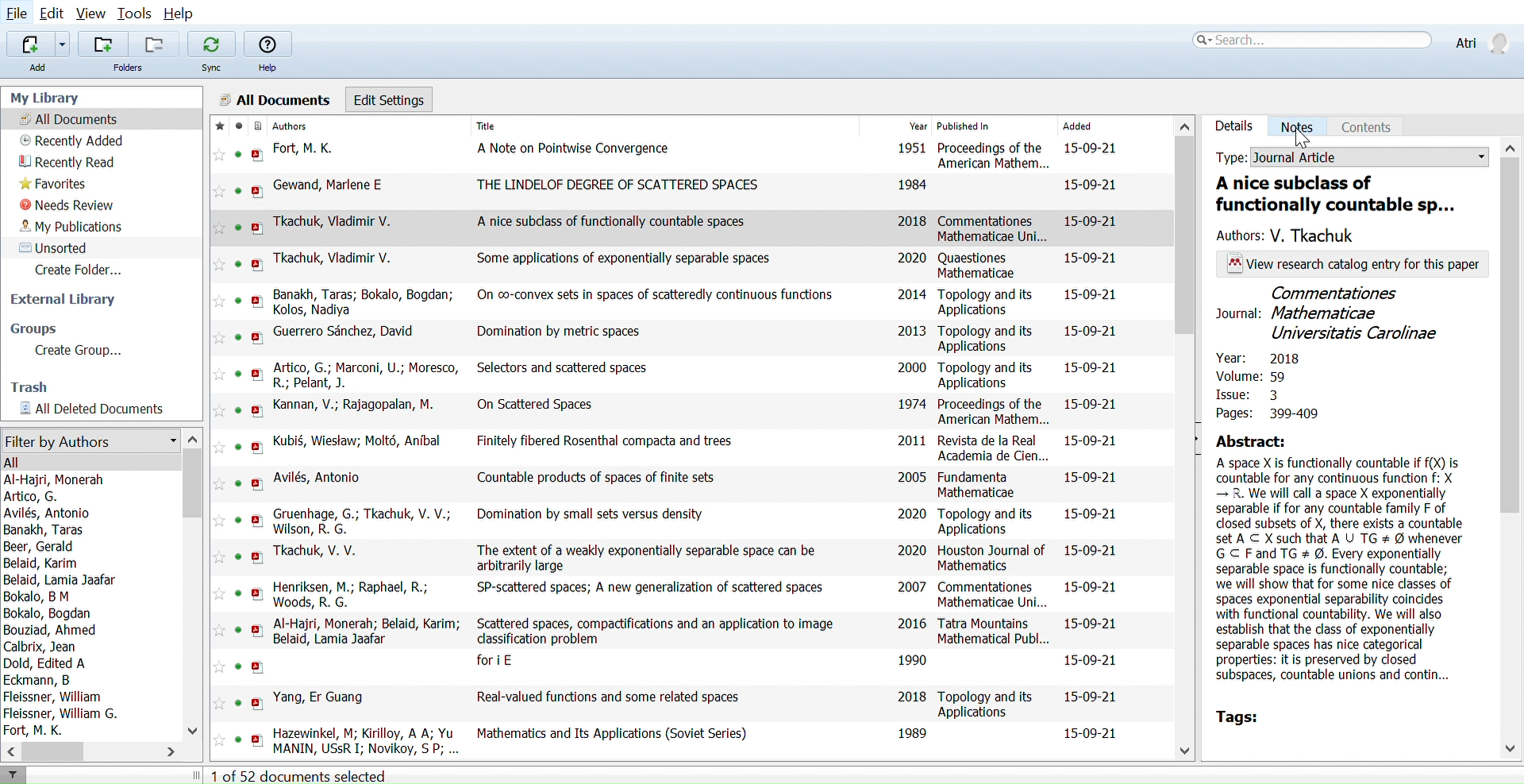 This screenshot has height=784, width=1524. Describe the element at coordinates (1197, 440) in the screenshot. I see `Open sidebar` at that location.